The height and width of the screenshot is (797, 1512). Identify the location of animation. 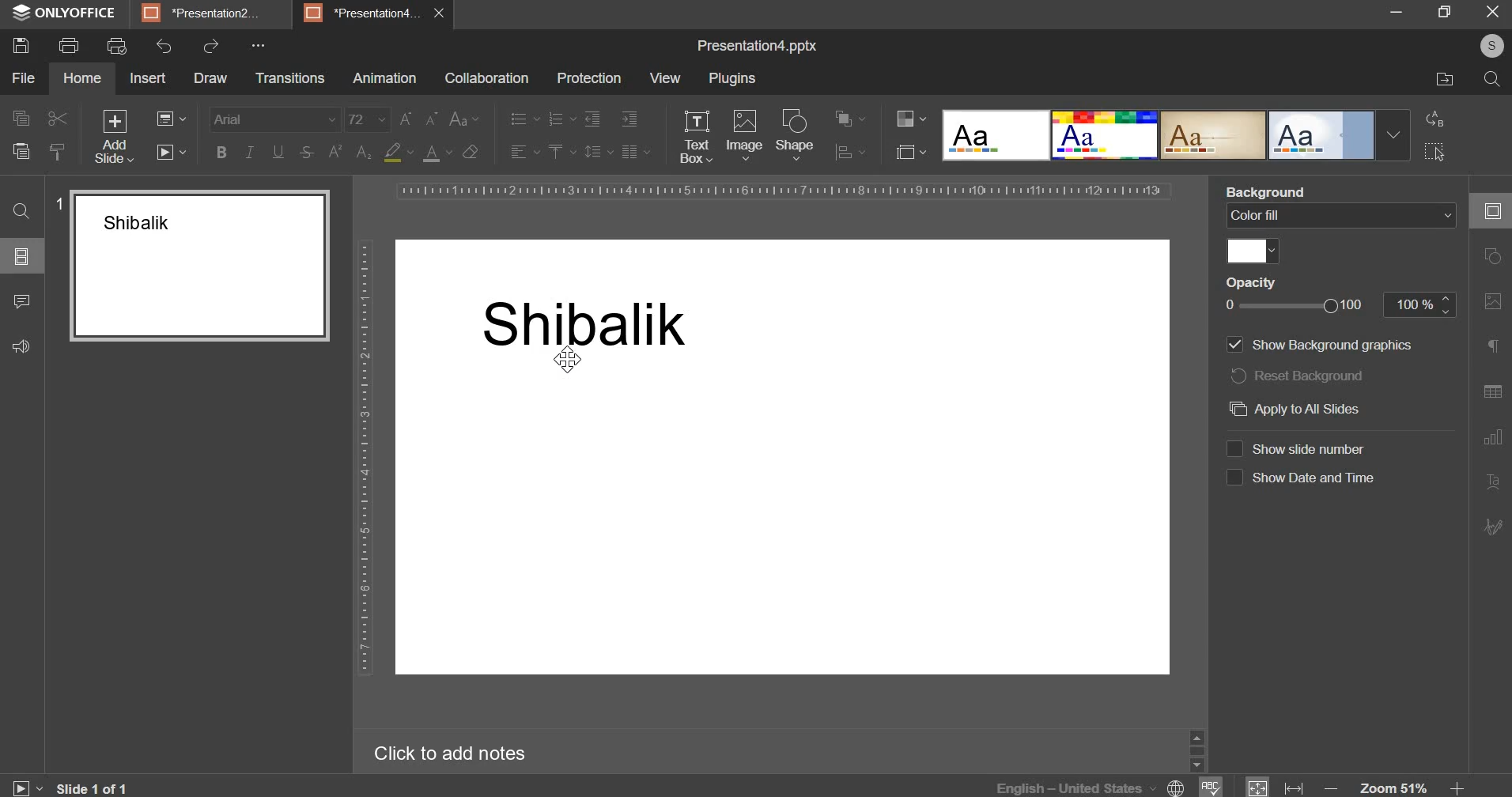
(385, 78).